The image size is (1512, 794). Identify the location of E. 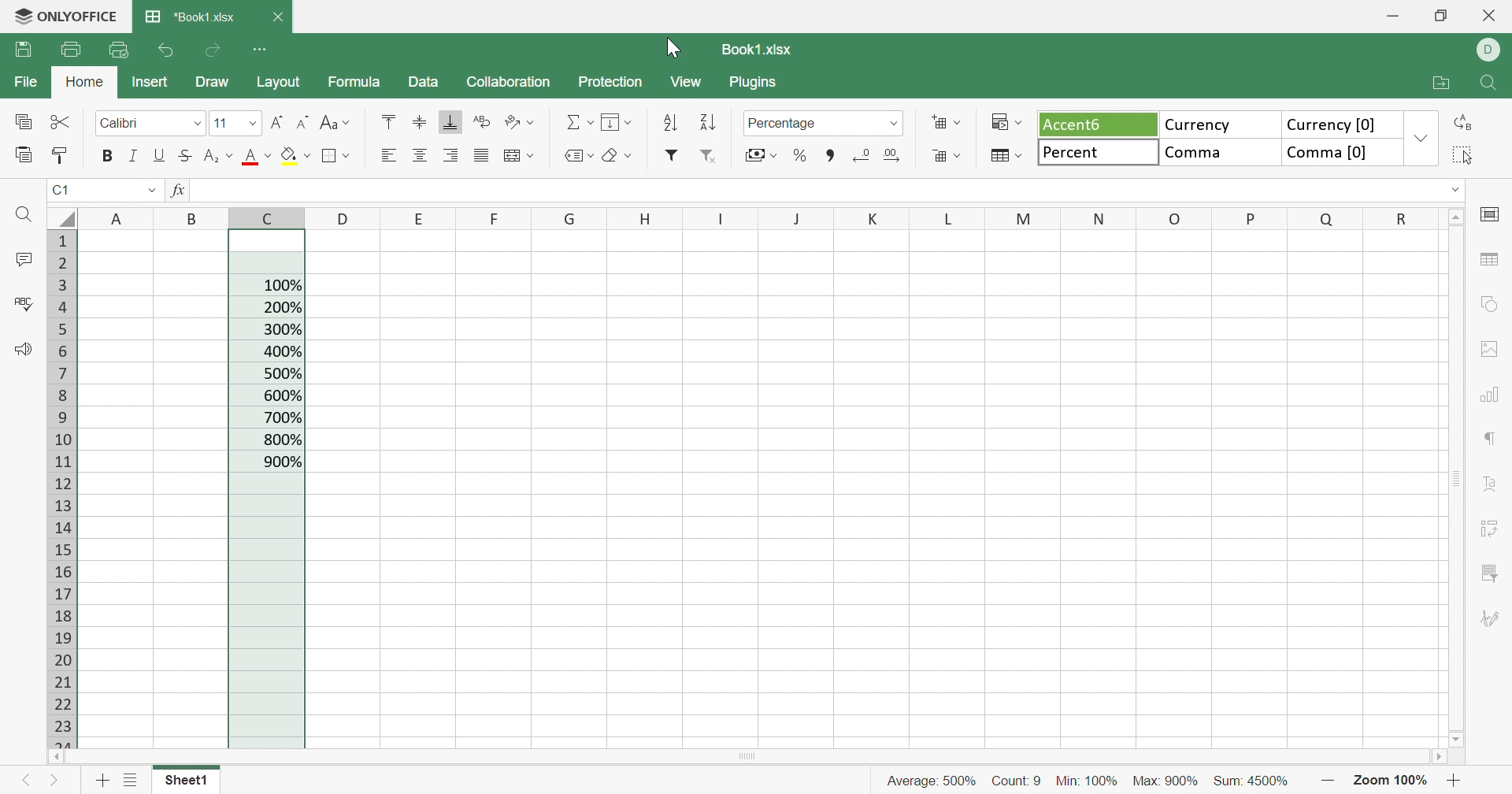
(416, 219).